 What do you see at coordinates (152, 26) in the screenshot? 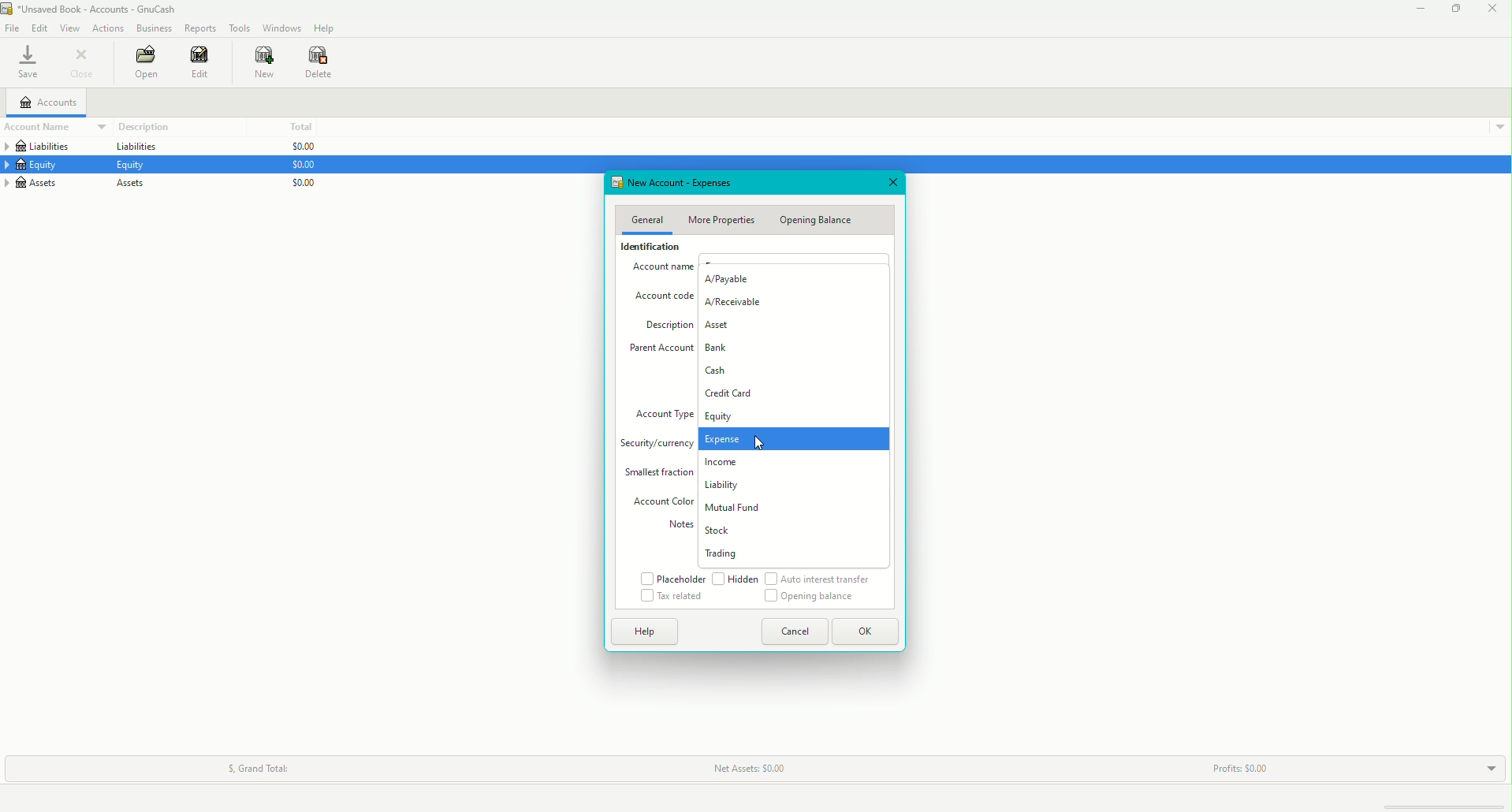
I see `Business` at bounding box center [152, 26].